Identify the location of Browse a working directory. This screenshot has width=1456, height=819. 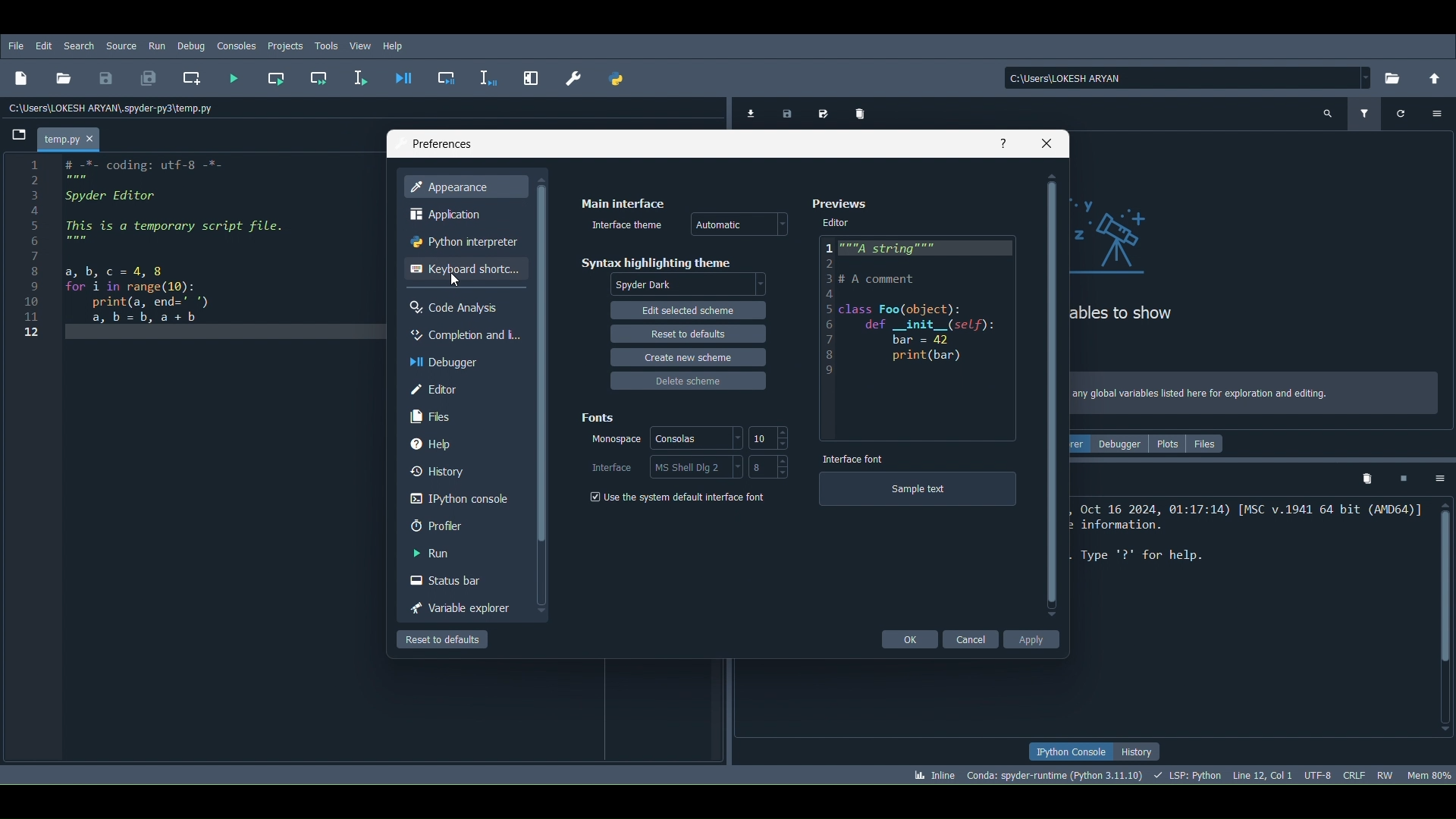
(1393, 74).